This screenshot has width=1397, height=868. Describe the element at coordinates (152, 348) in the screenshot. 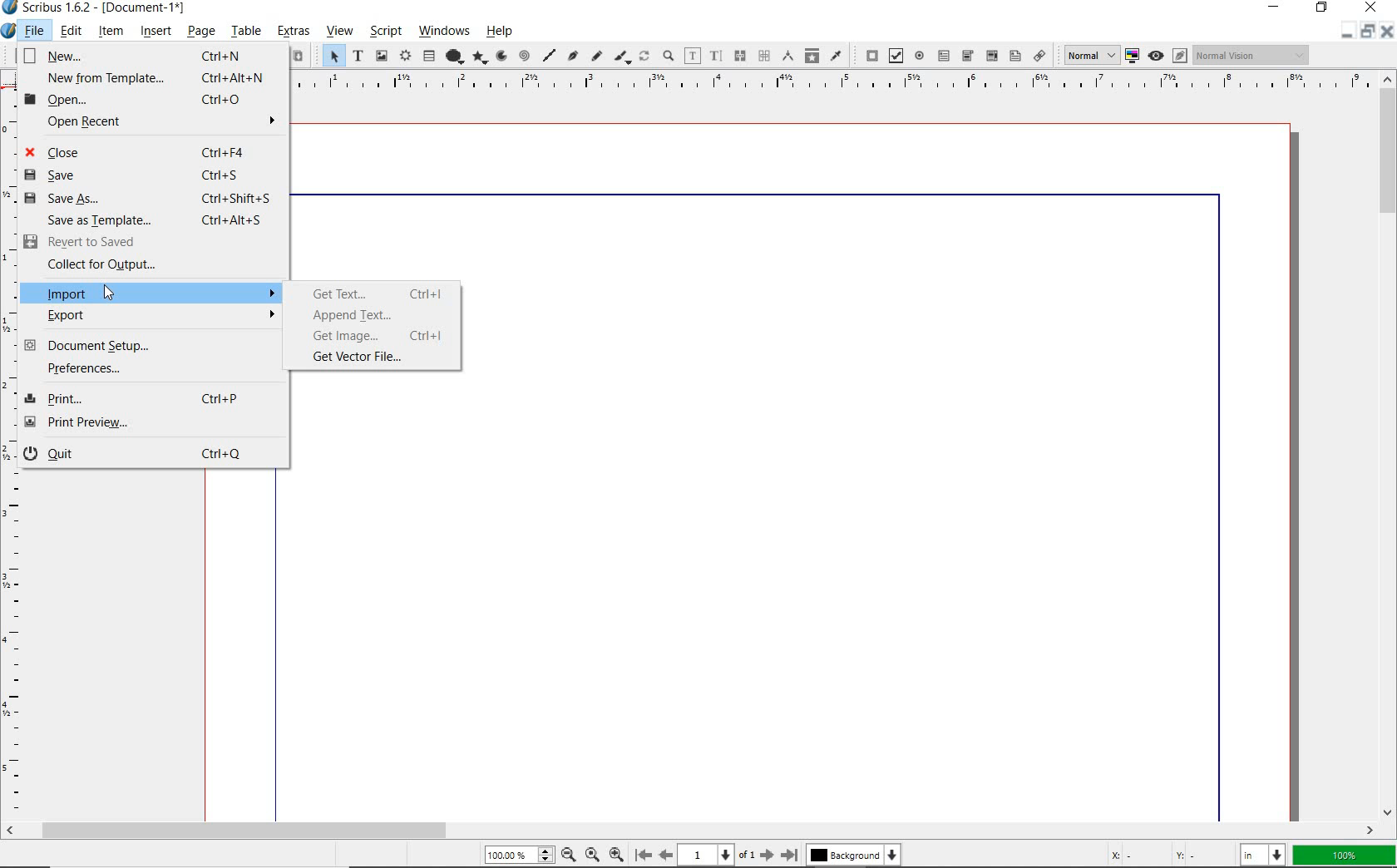

I see `Document Setup...` at that location.